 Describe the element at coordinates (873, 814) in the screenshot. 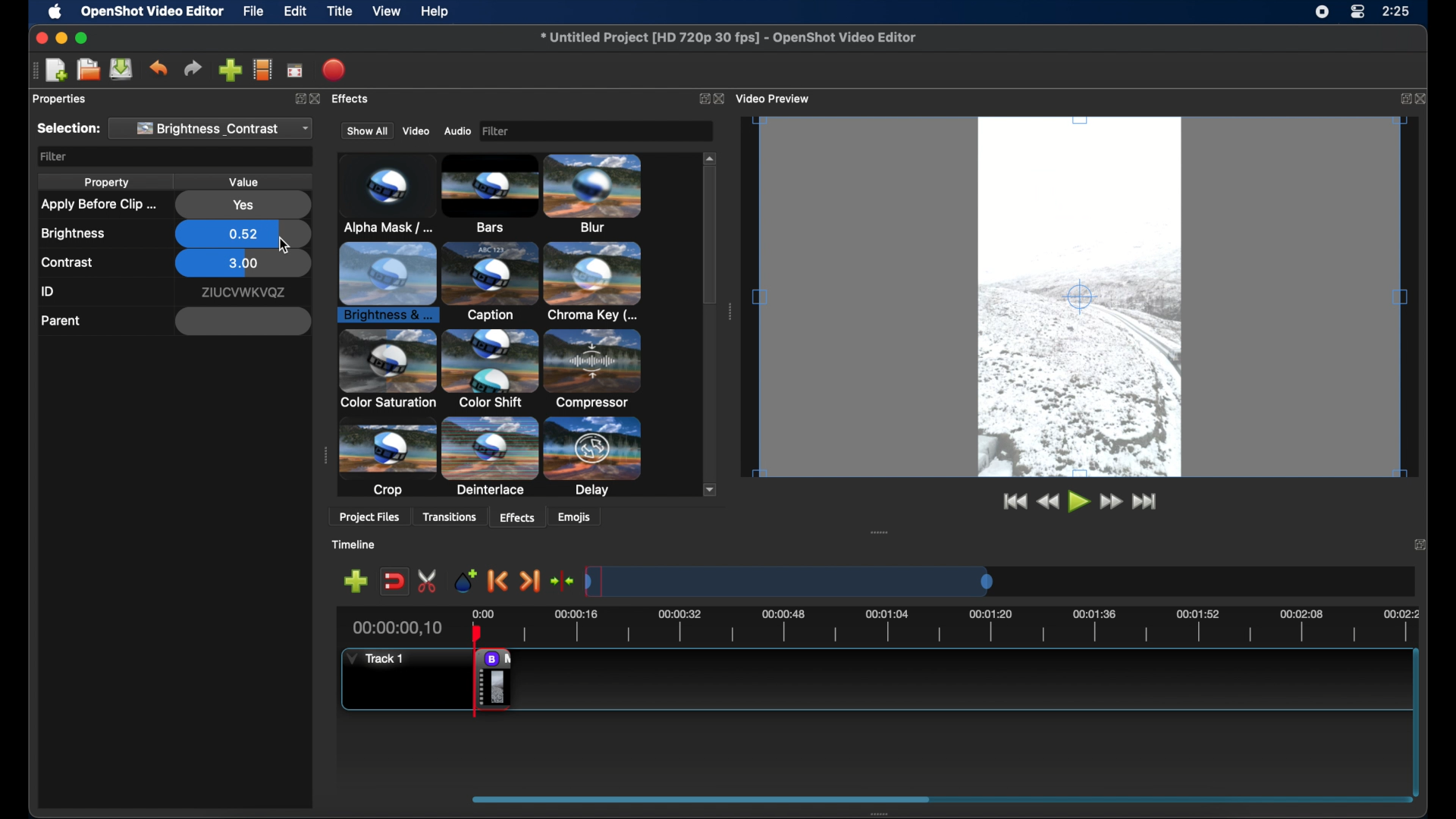

I see `drag handle` at that location.